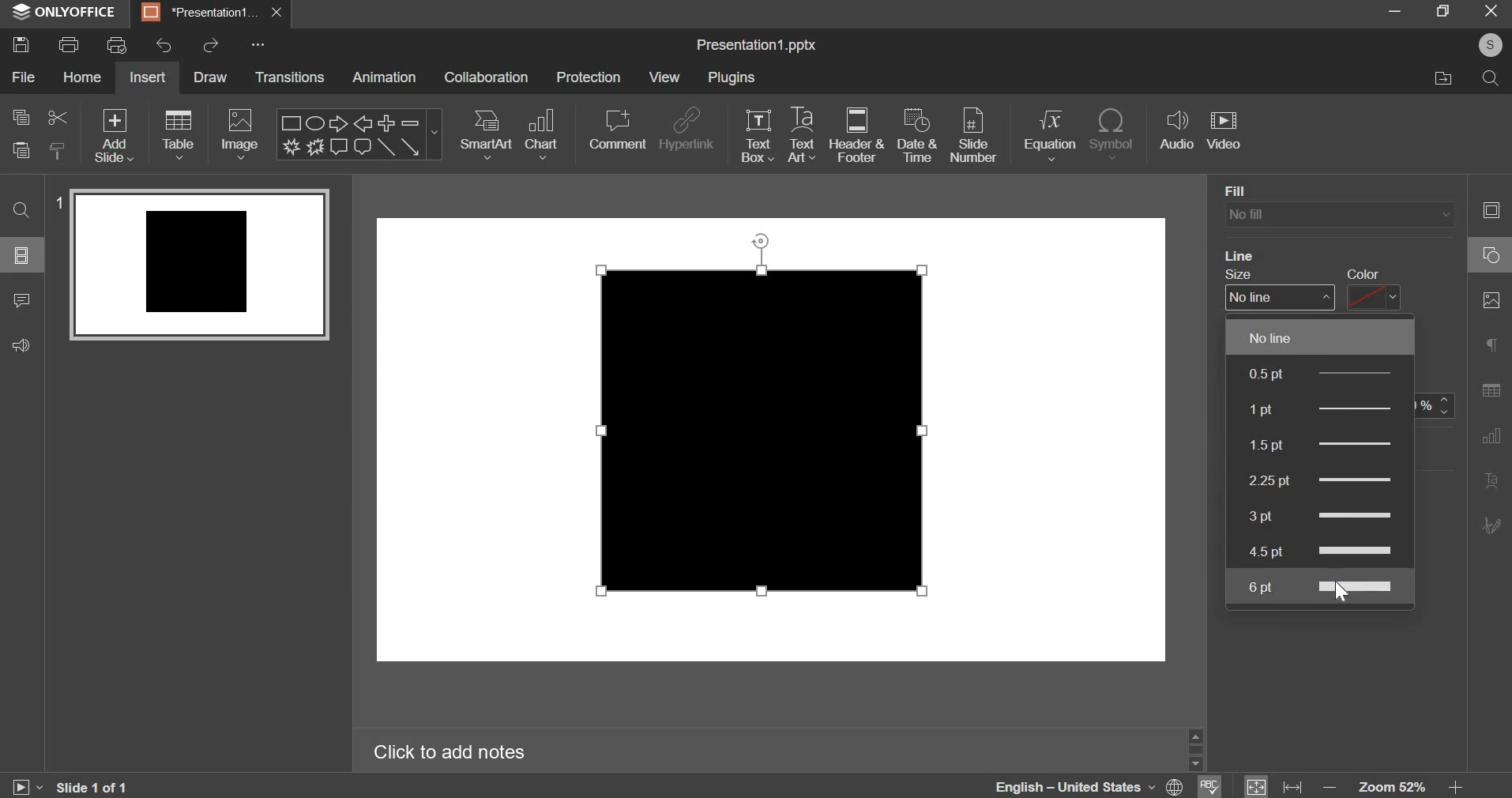 This screenshot has width=1512, height=798. Describe the element at coordinates (1489, 526) in the screenshot. I see `Goback` at that location.